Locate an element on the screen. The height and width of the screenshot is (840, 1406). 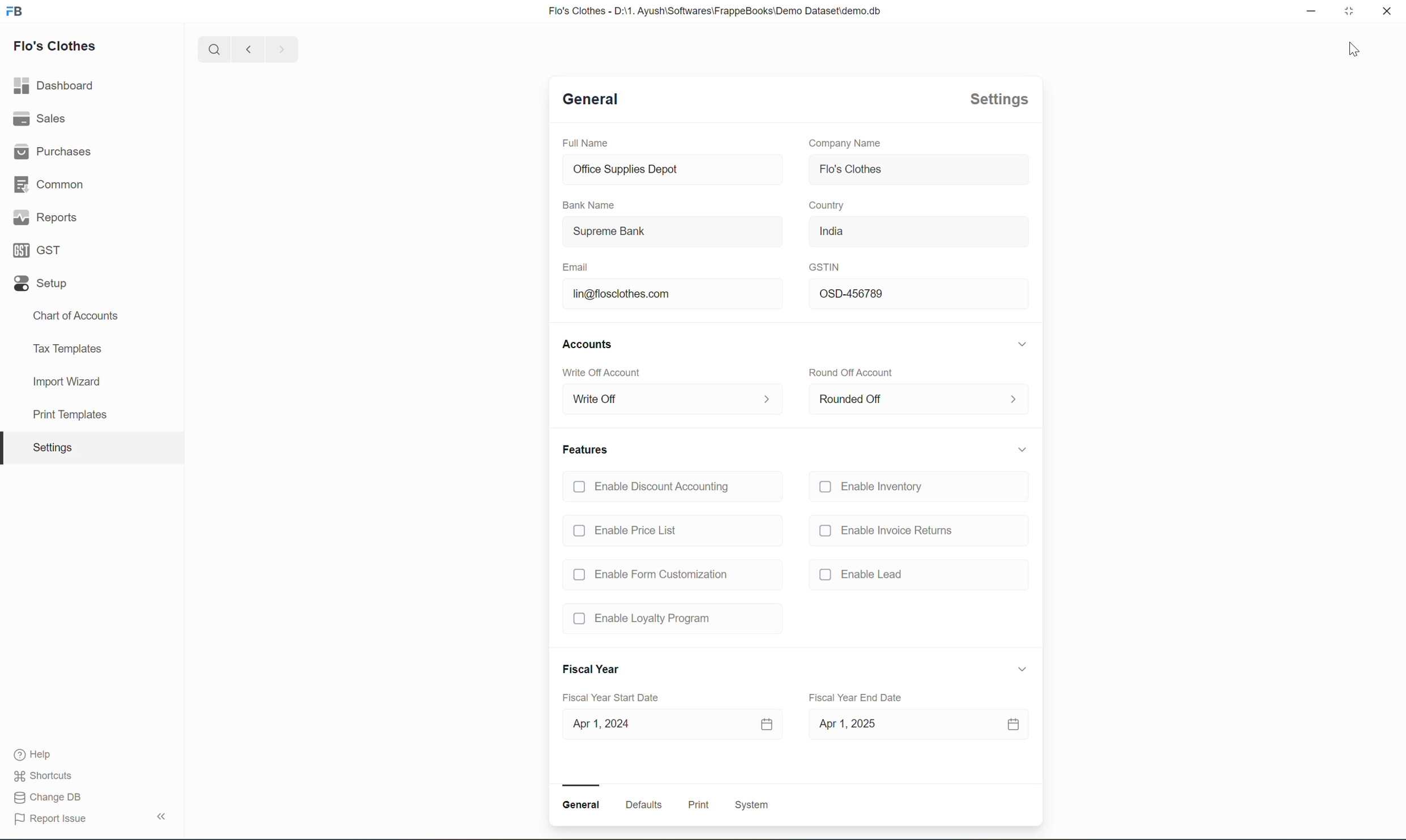
Write Off Account is located at coordinates (601, 373).